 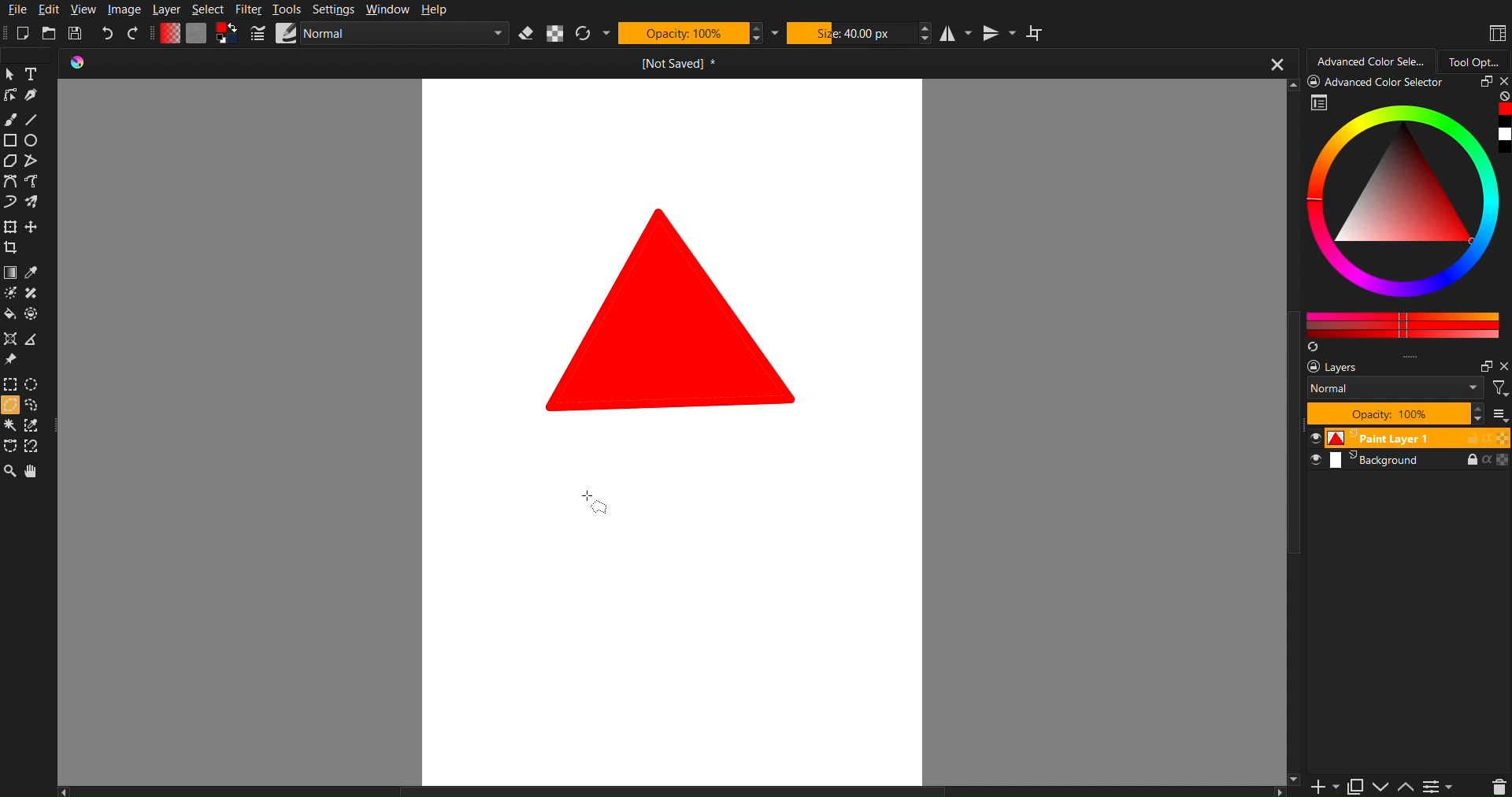 I want to click on wind, so click(x=9, y=428).